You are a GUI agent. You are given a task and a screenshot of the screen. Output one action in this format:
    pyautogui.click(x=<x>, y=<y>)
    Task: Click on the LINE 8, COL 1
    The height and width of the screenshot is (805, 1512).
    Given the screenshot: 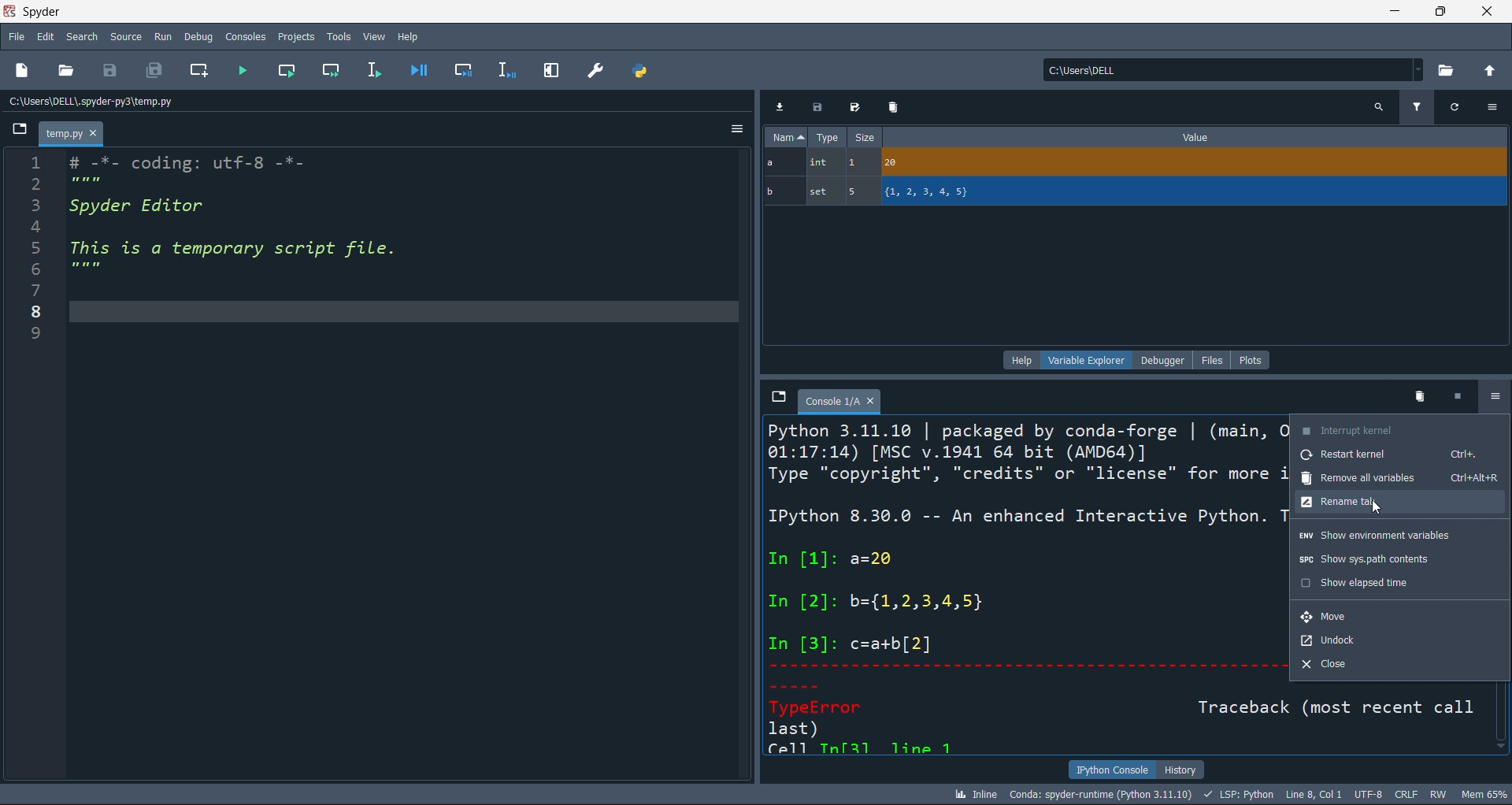 What is the action you would take?
    pyautogui.click(x=1317, y=794)
    